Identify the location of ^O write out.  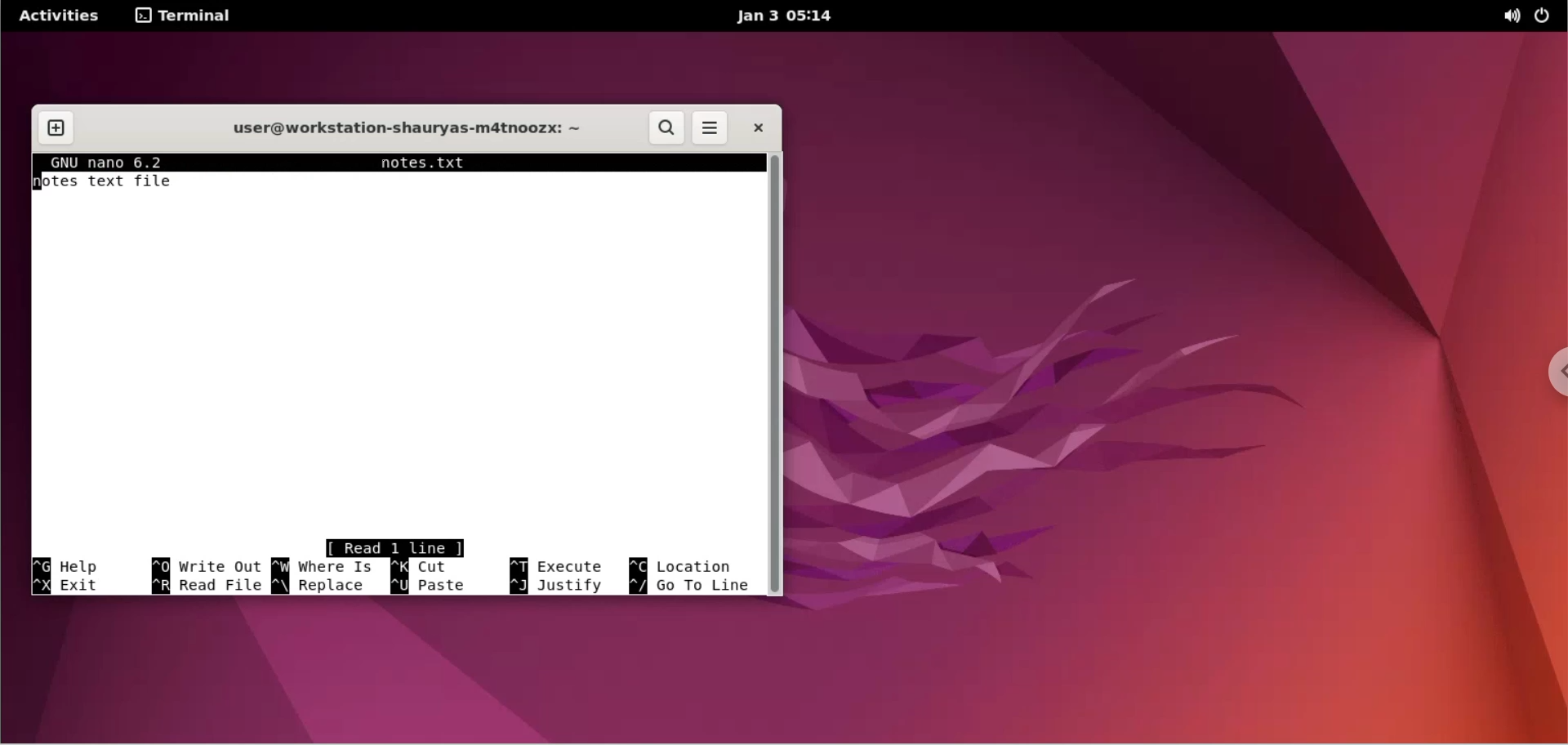
(210, 566).